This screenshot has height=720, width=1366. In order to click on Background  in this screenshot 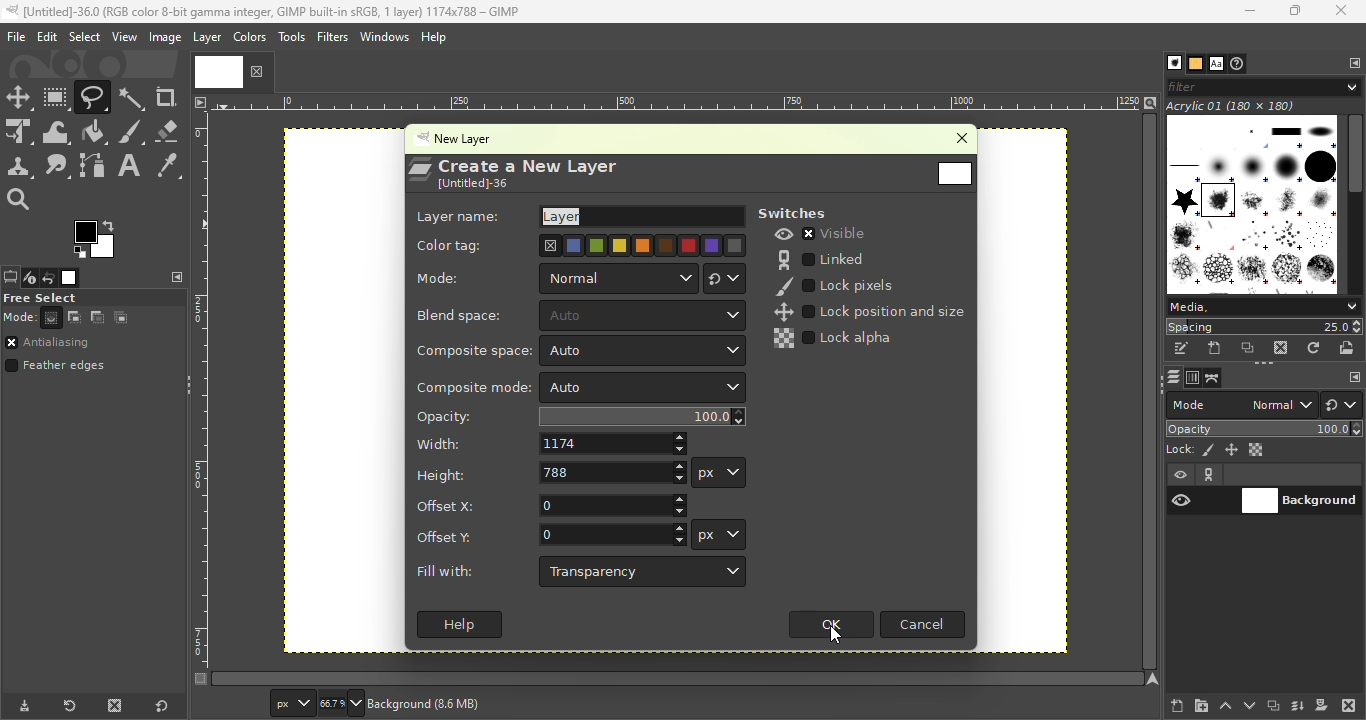, I will do `click(451, 706)`.